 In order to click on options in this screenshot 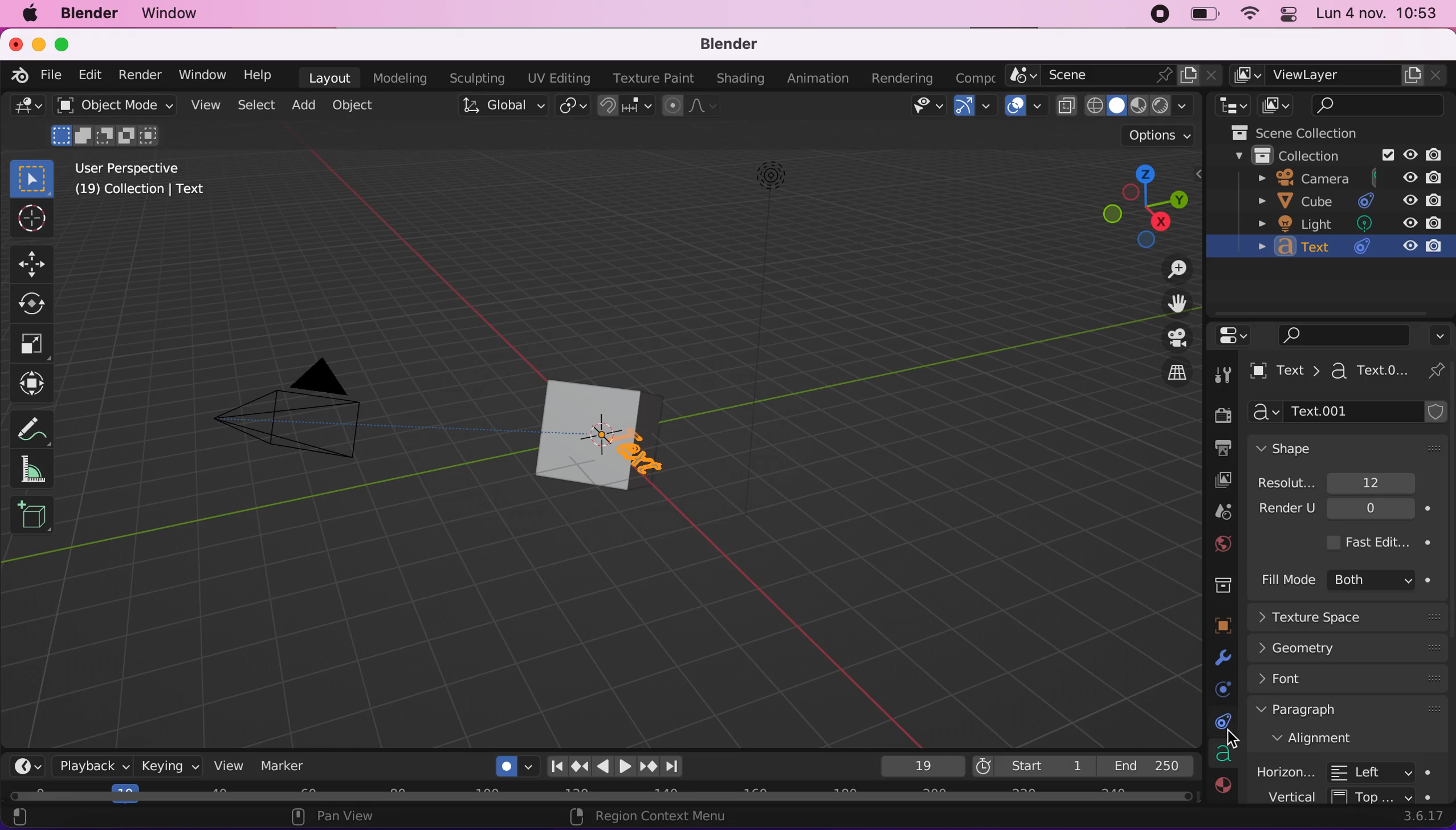, I will do `click(1156, 134)`.